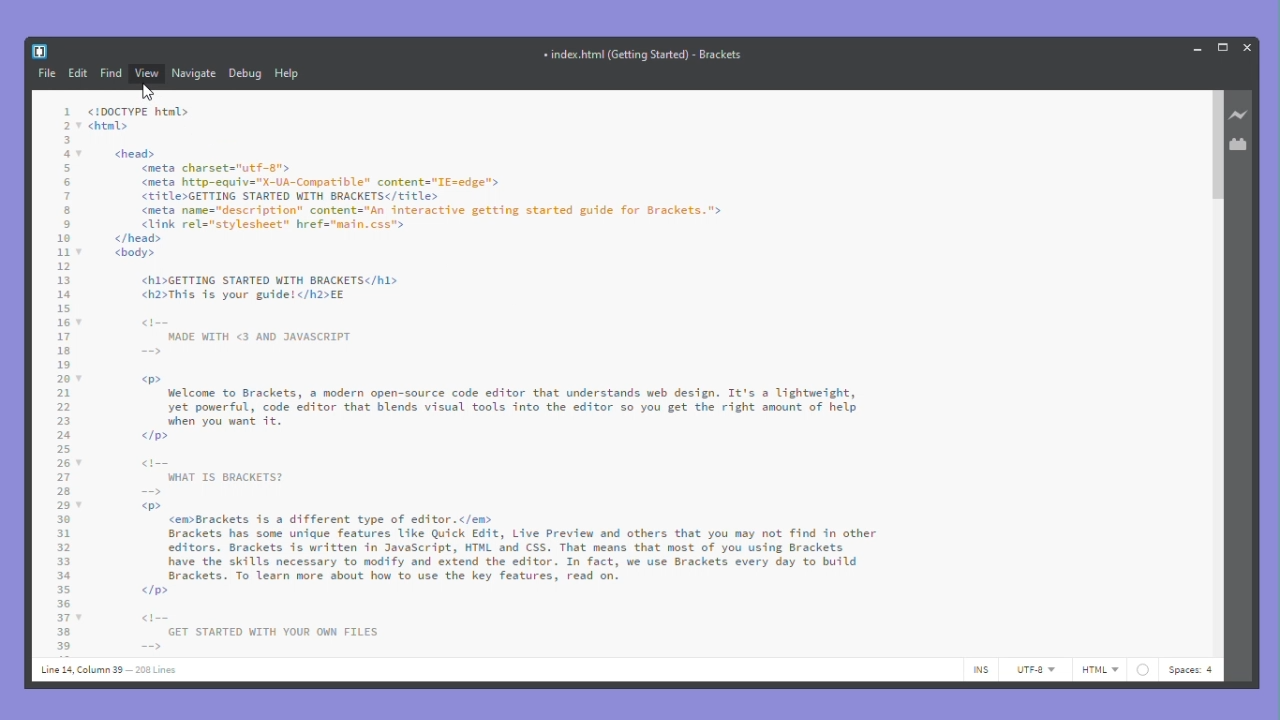 This screenshot has width=1280, height=720. What do you see at coordinates (259, 631) in the screenshot?
I see `<!-- GET STARTED WITH YOUR OWN FILES -->` at bounding box center [259, 631].